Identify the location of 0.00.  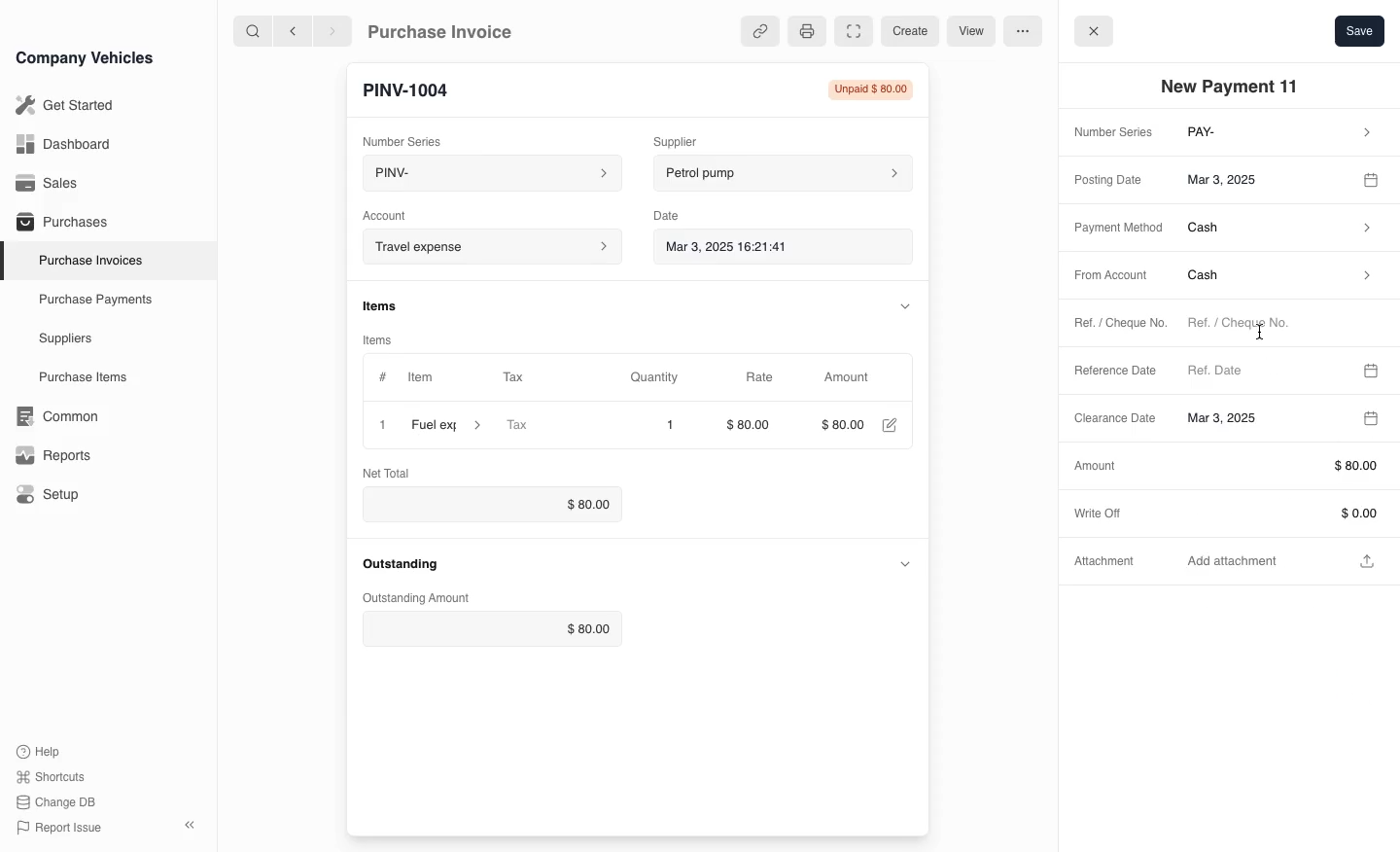
(1279, 513).